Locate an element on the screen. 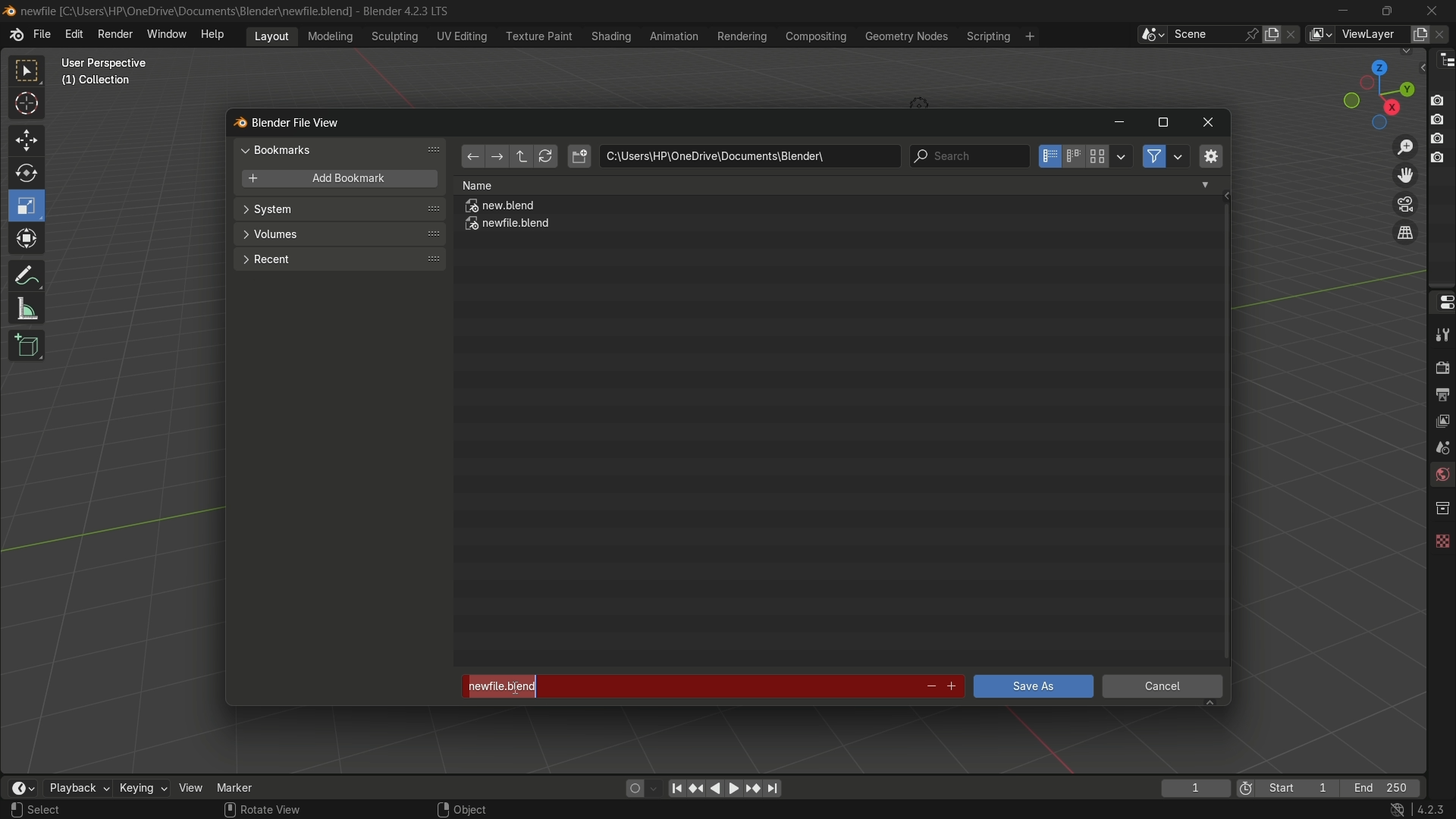 The height and width of the screenshot is (819, 1456). collections is located at coordinates (1442, 508).